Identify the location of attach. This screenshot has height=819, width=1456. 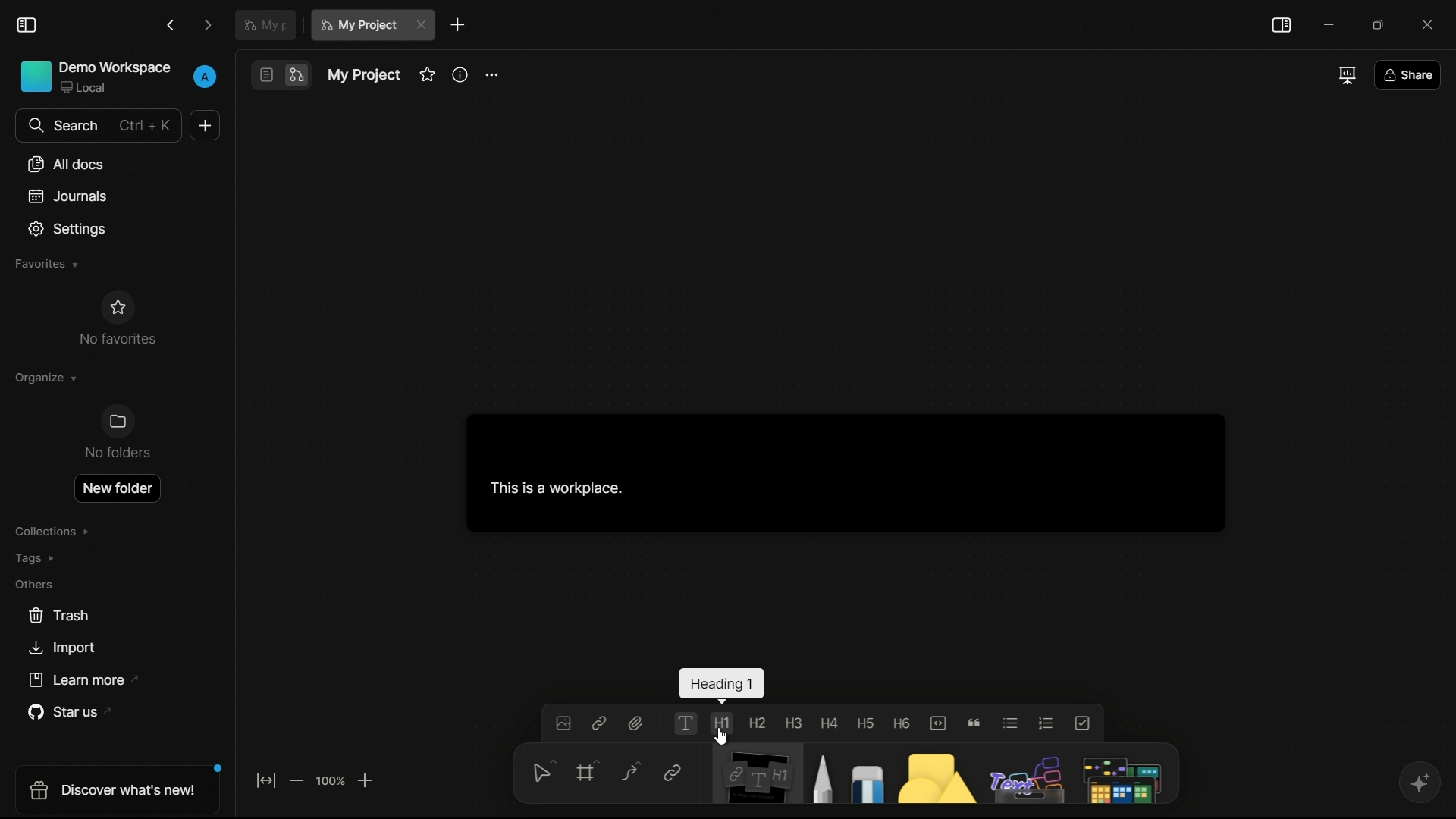
(638, 724).